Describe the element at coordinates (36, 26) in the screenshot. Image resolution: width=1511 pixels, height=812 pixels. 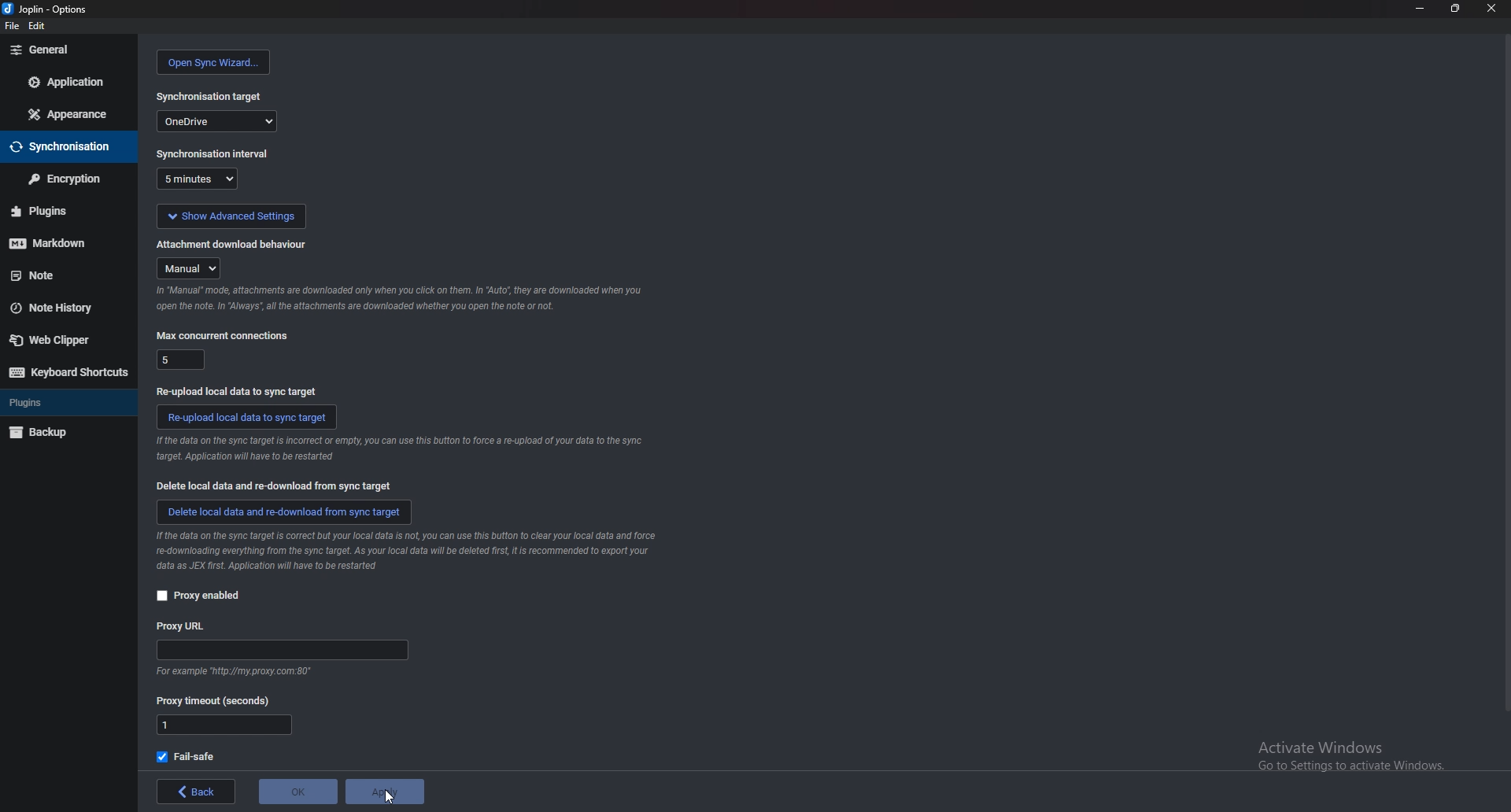
I see `edit` at that location.